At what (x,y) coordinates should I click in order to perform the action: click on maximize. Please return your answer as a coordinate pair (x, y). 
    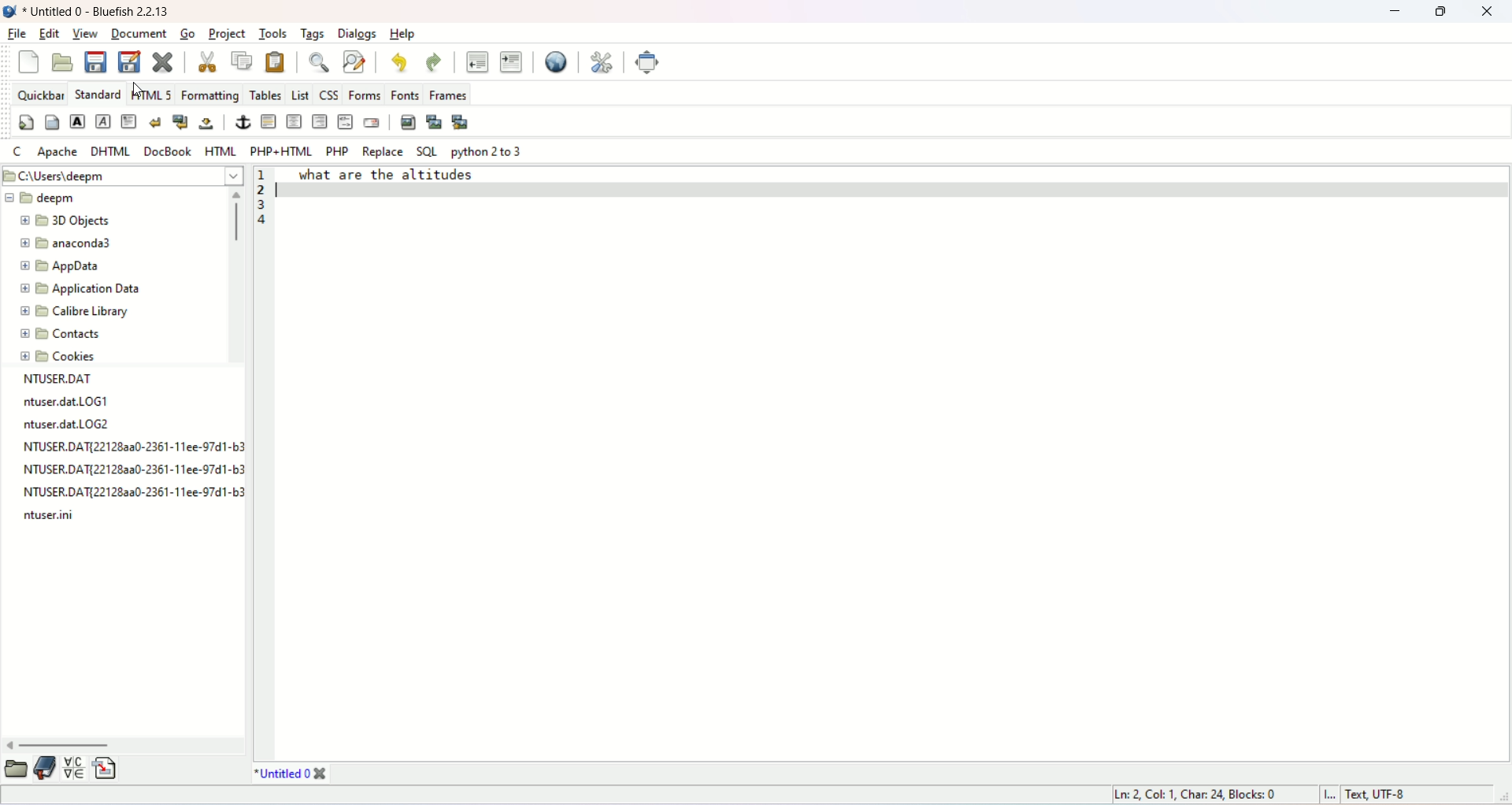
    Looking at the image, I should click on (1440, 13).